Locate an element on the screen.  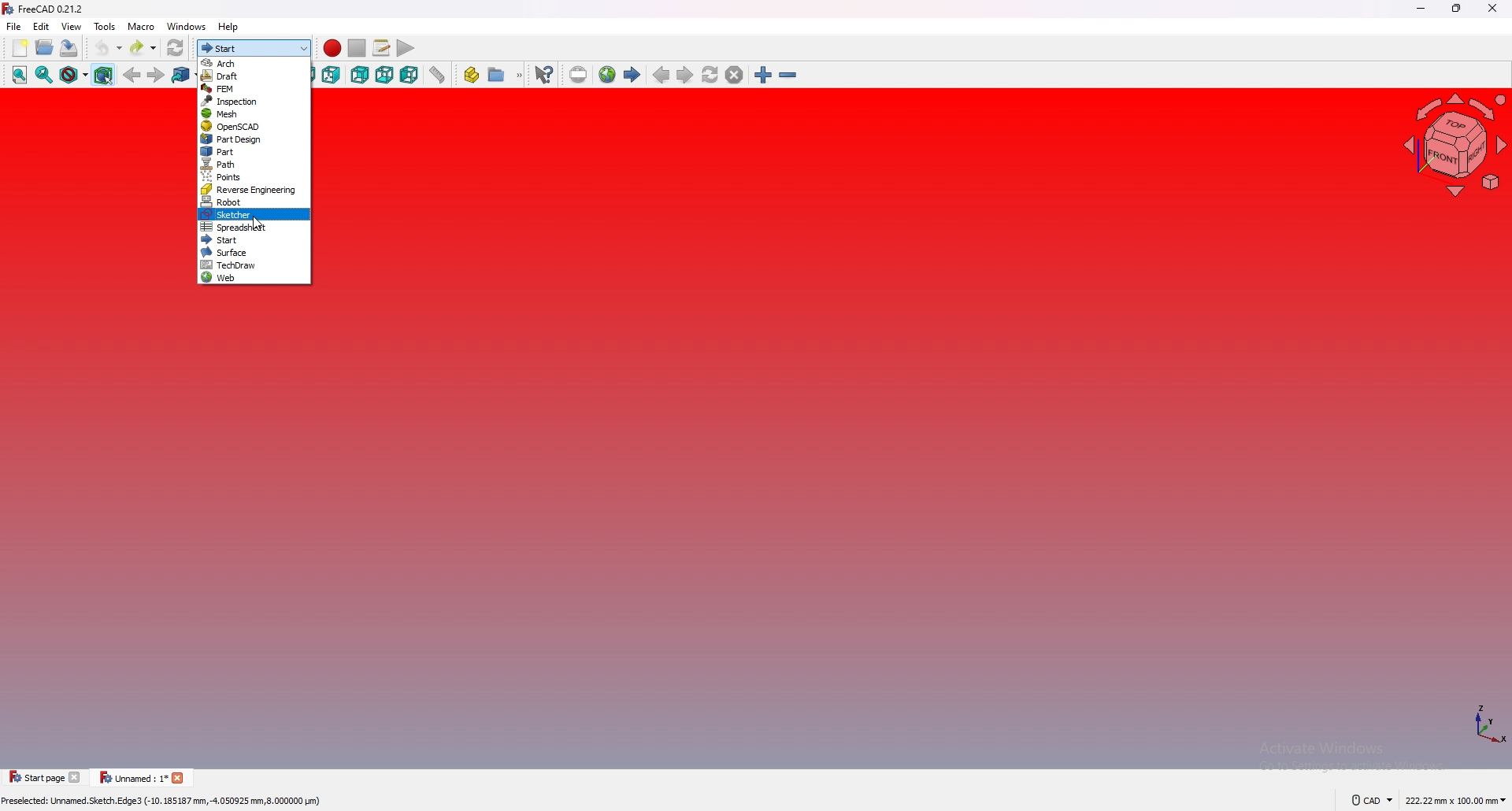
new is located at coordinates (20, 47).